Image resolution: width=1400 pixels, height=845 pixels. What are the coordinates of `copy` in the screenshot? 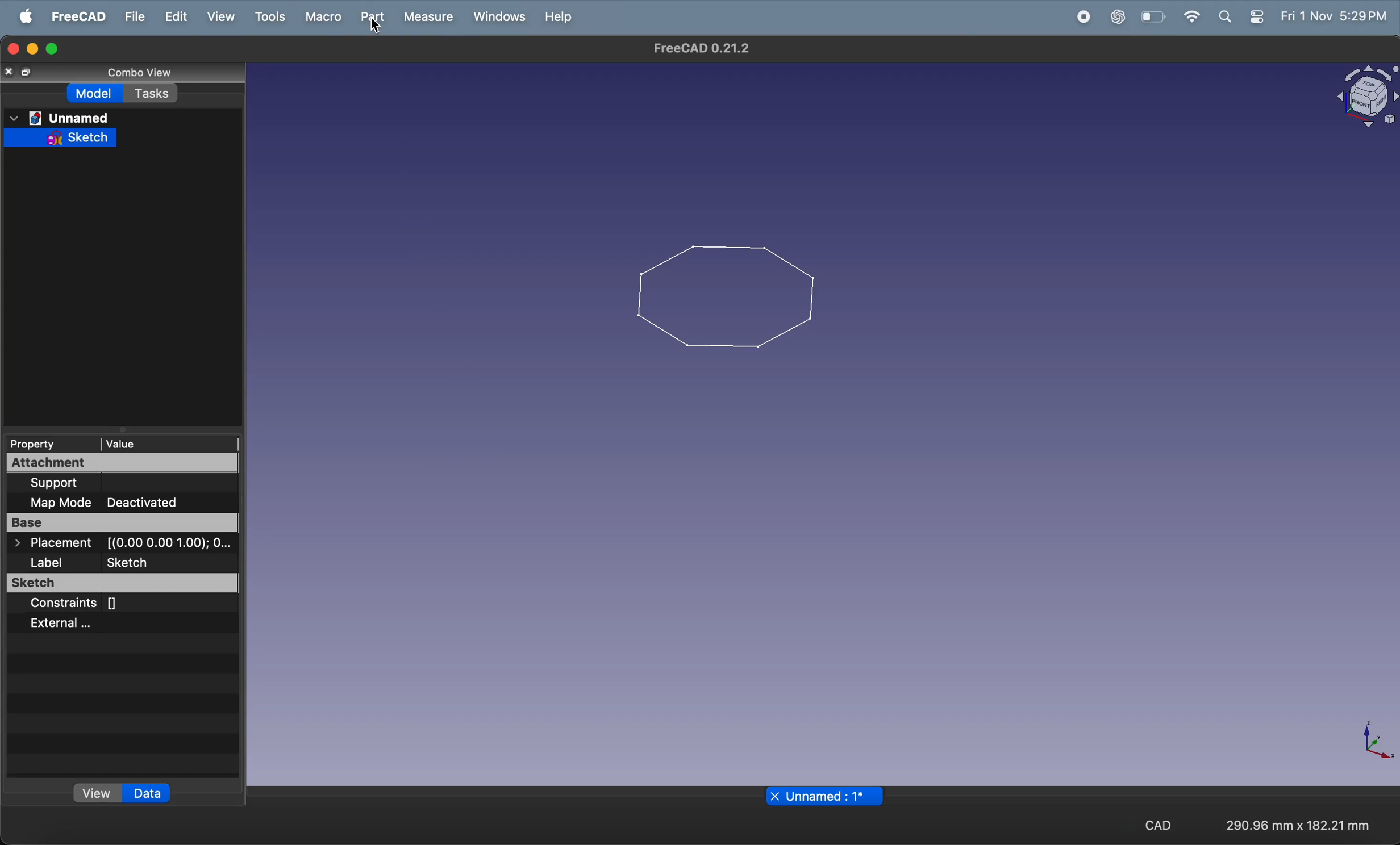 It's located at (19, 73).